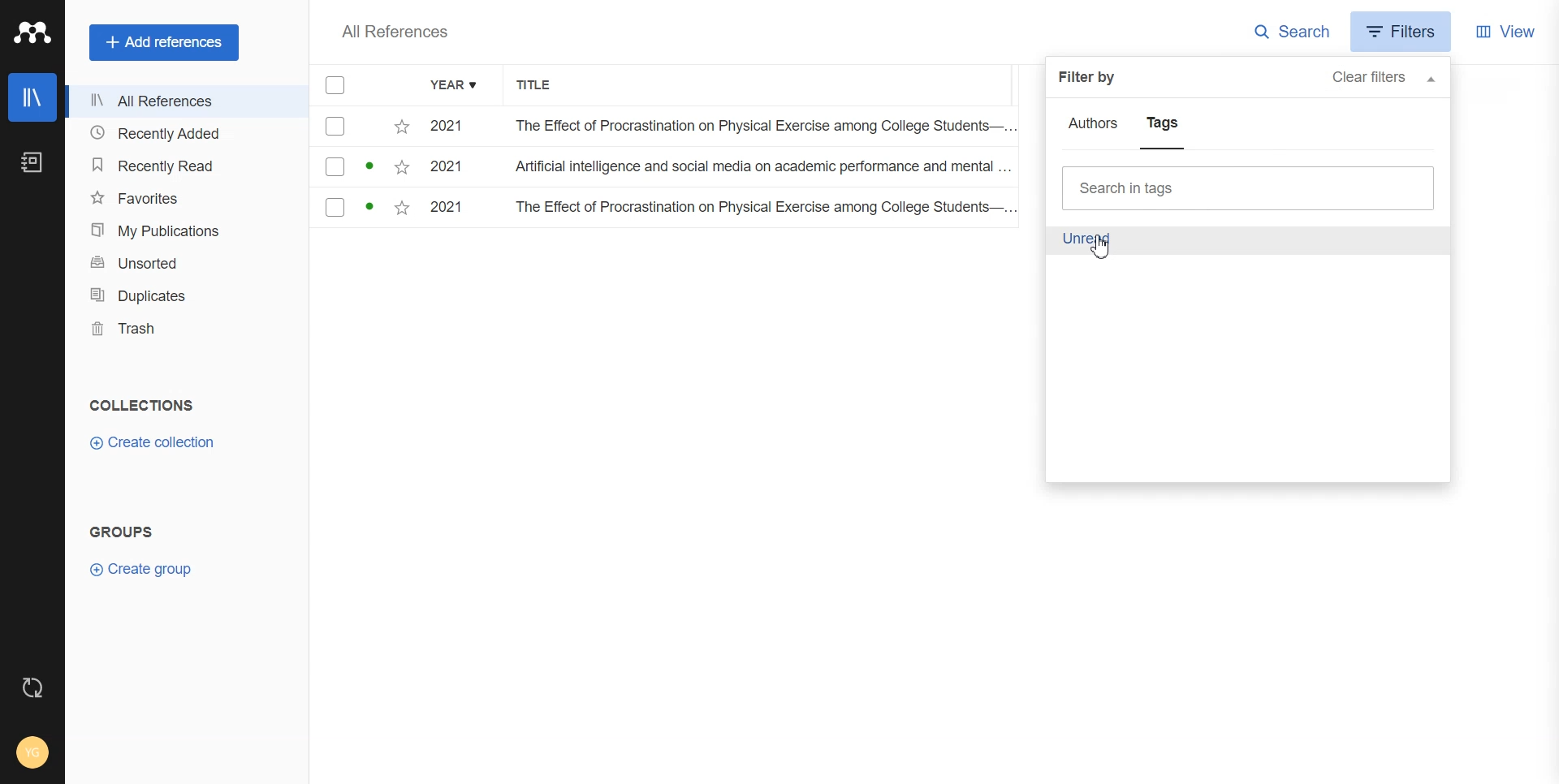 This screenshot has width=1559, height=784. I want to click on Library, so click(32, 97).